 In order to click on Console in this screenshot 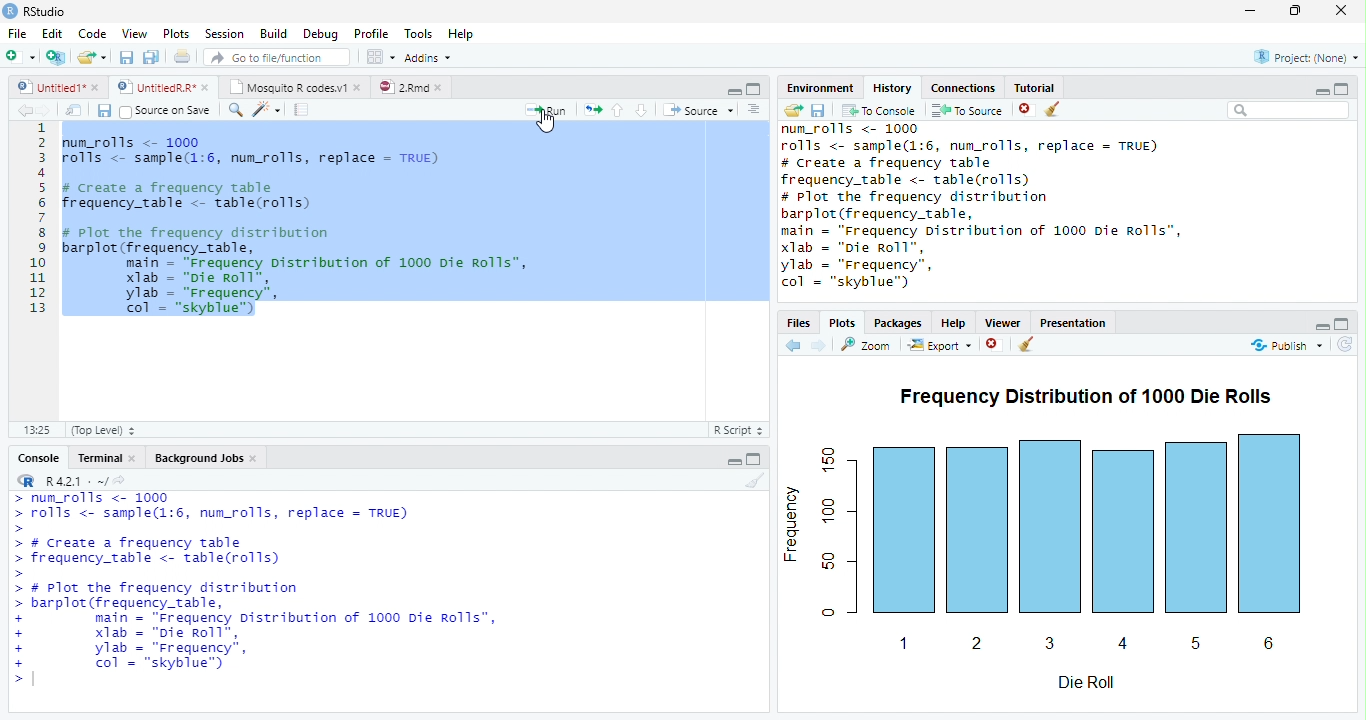, I will do `click(386, 601)`.